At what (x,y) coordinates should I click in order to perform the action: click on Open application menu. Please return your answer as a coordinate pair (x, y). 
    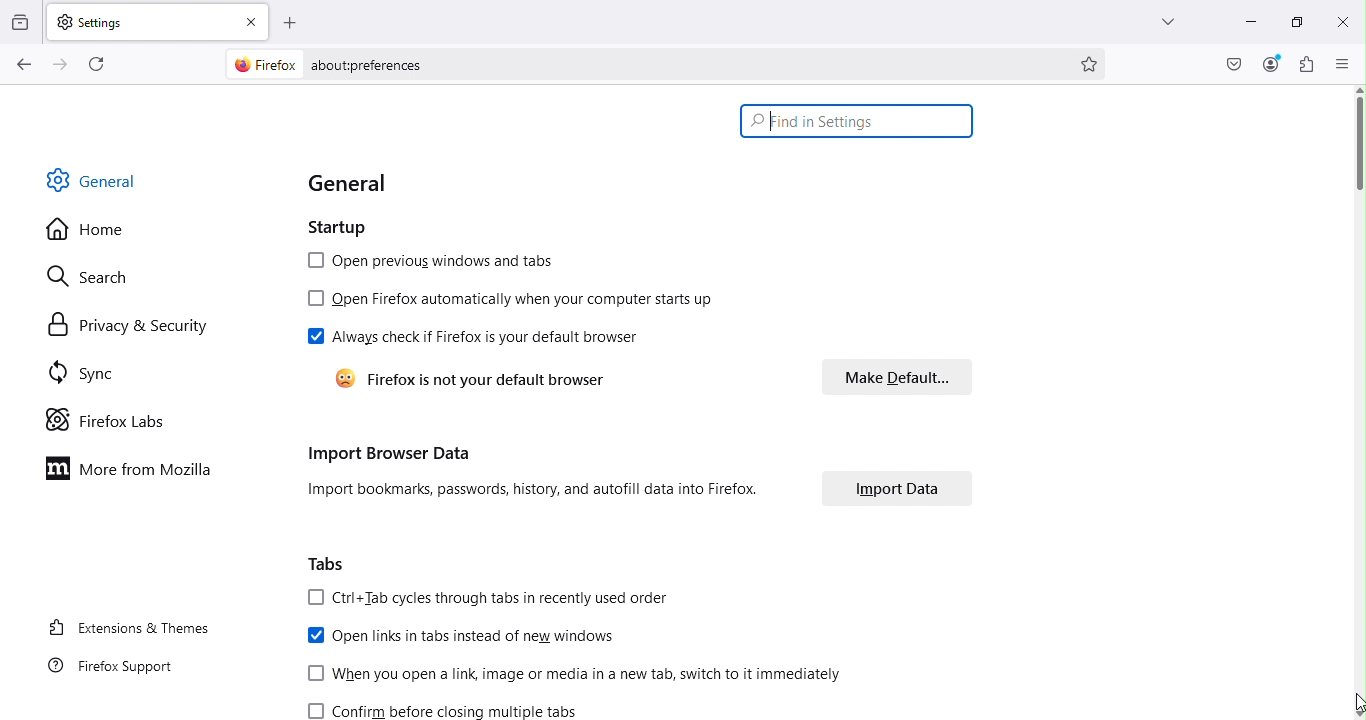
    Looking at the image, I should click on (1345, 65).